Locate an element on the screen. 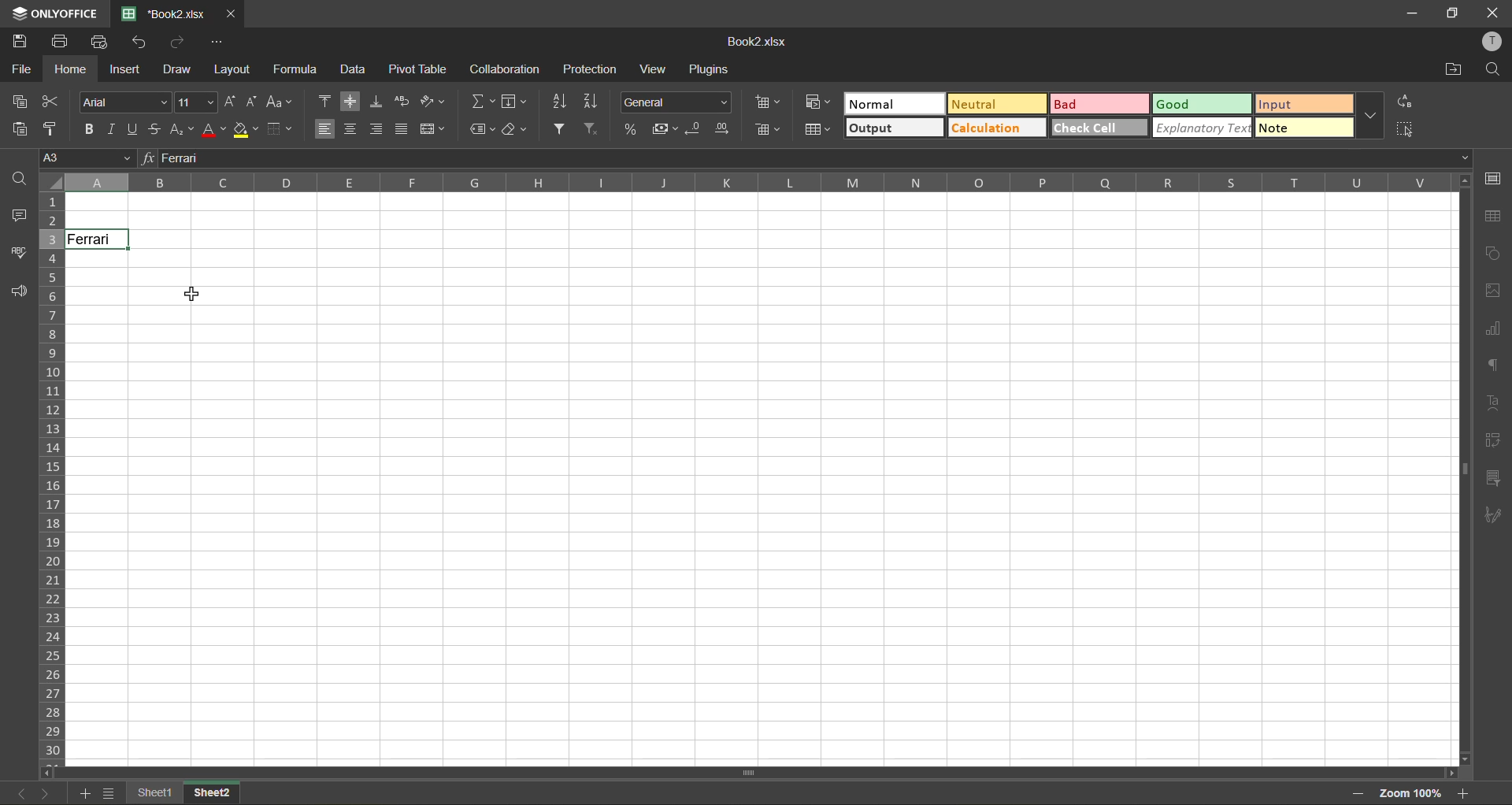 The image size is (1512, 805). find is located at coordinates (1493, 70).